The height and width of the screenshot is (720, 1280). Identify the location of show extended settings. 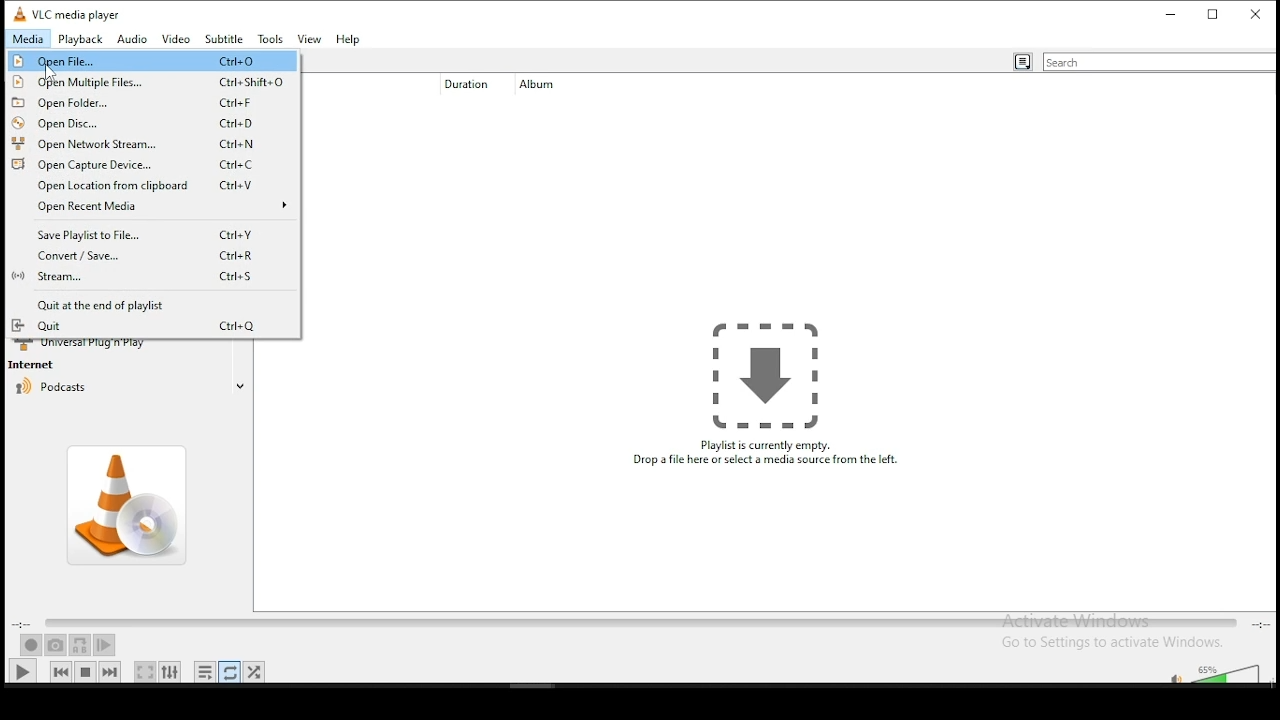
(171, 672).